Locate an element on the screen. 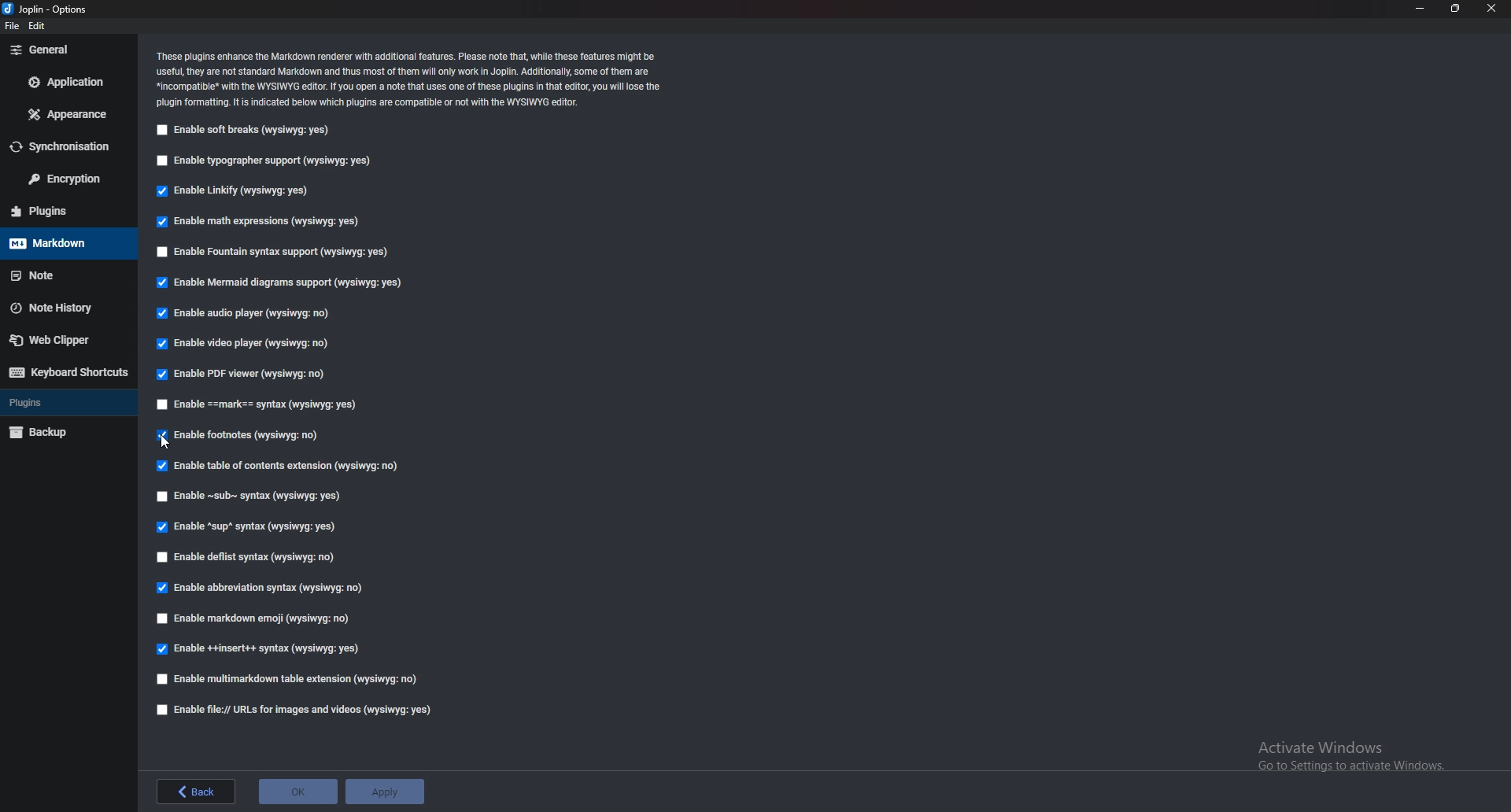 The image size is (1511, 812). Enable table of contents extension is located at coordinates (286, 466).